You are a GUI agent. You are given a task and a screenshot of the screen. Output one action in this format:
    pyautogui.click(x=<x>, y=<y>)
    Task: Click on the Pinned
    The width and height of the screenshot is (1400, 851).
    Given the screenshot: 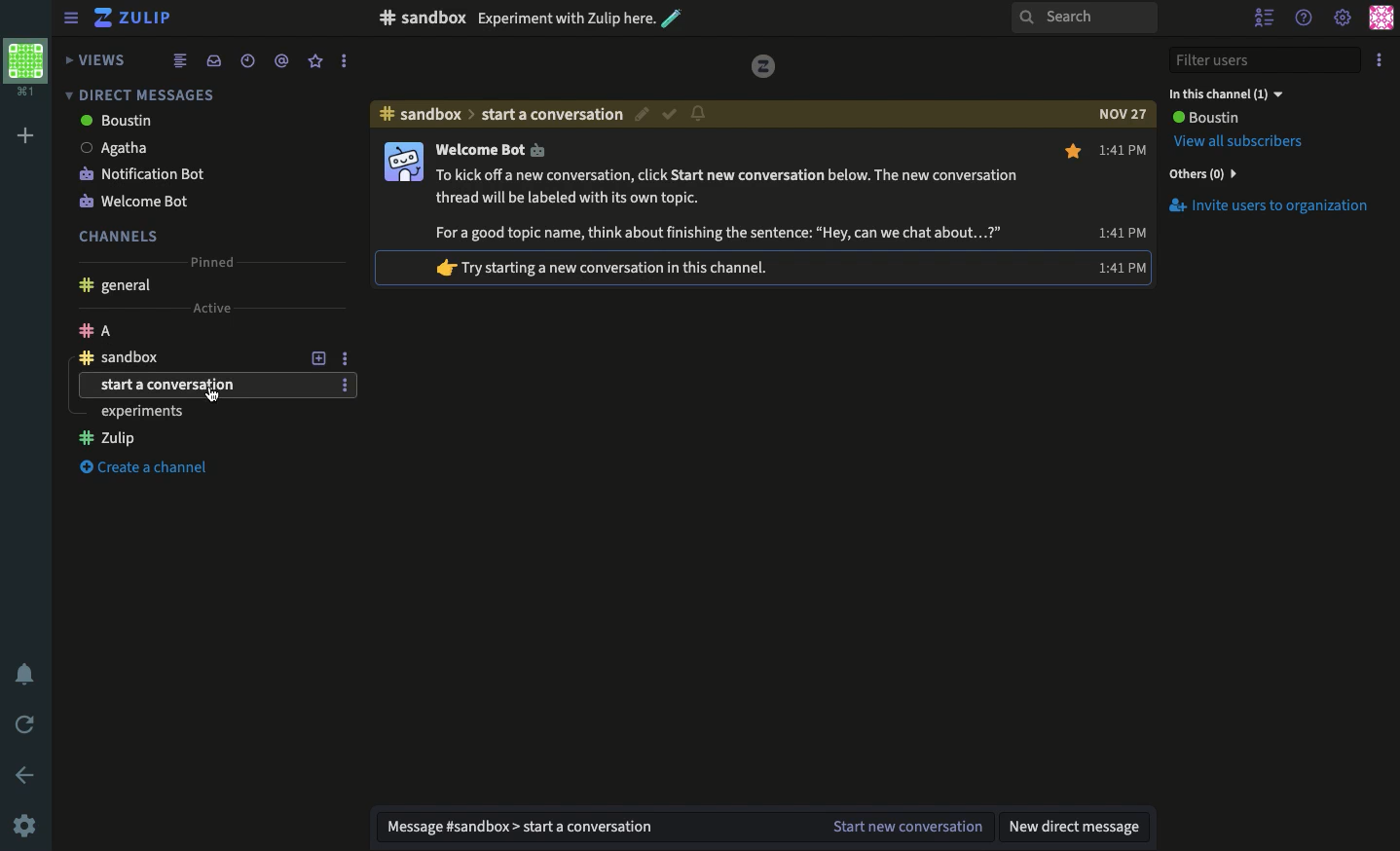 What is the action you would take?
    pyautogui.click(x=210, y=259)
    